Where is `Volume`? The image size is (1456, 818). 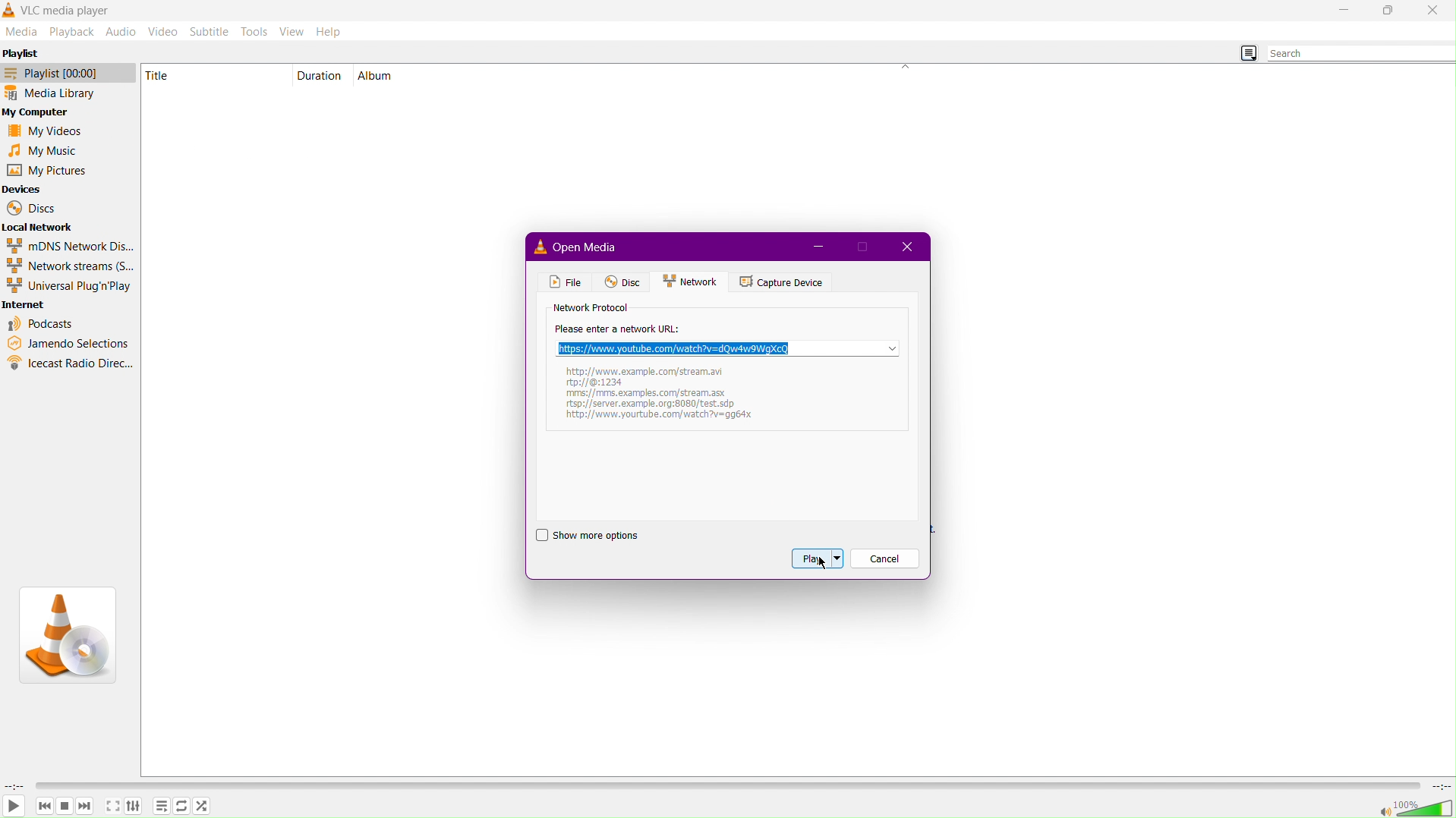
Volume is located at coordinates (1412, 807).